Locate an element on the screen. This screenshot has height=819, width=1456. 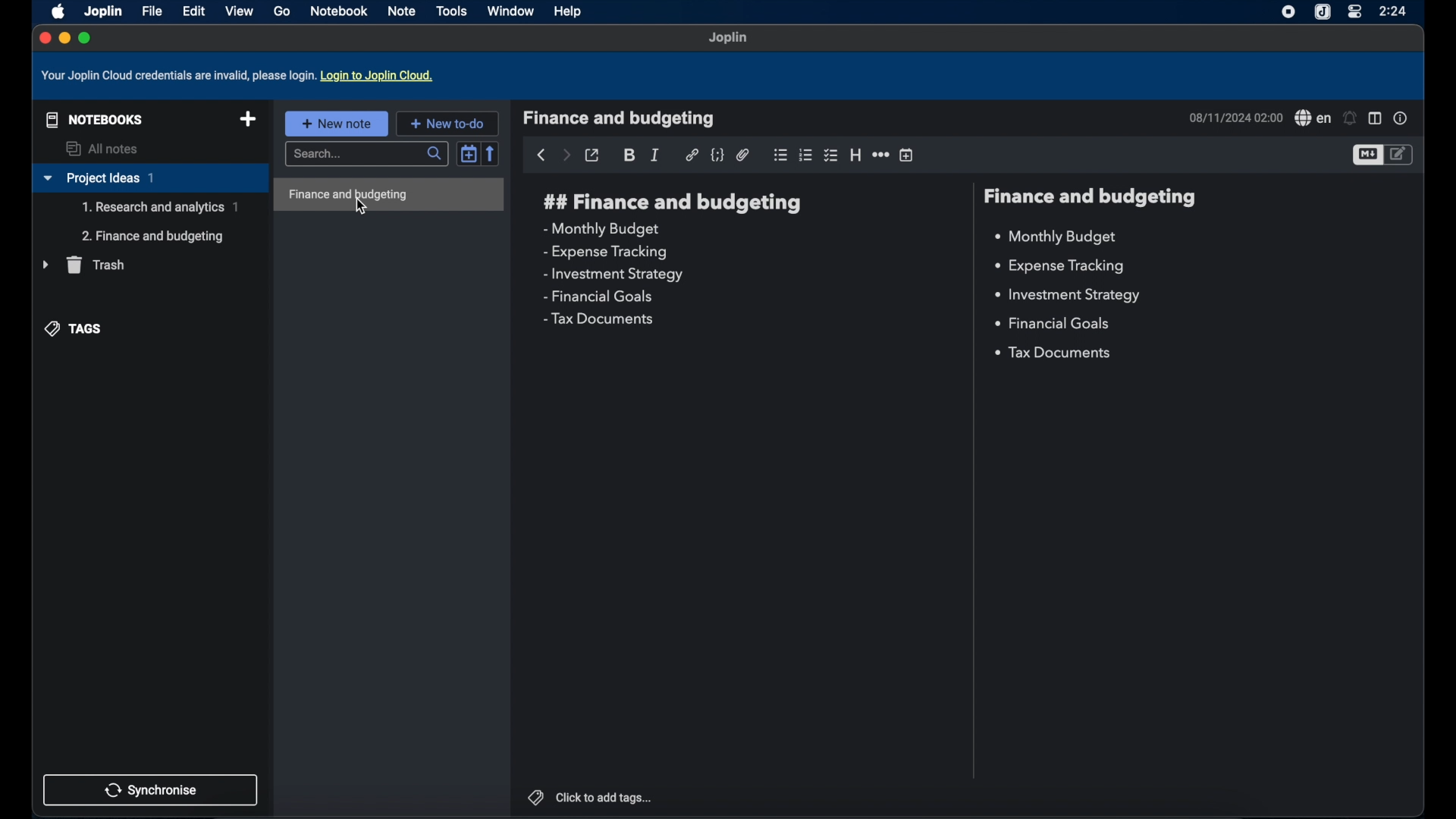
finance and budgeting is located at coordinates (1092, 197).